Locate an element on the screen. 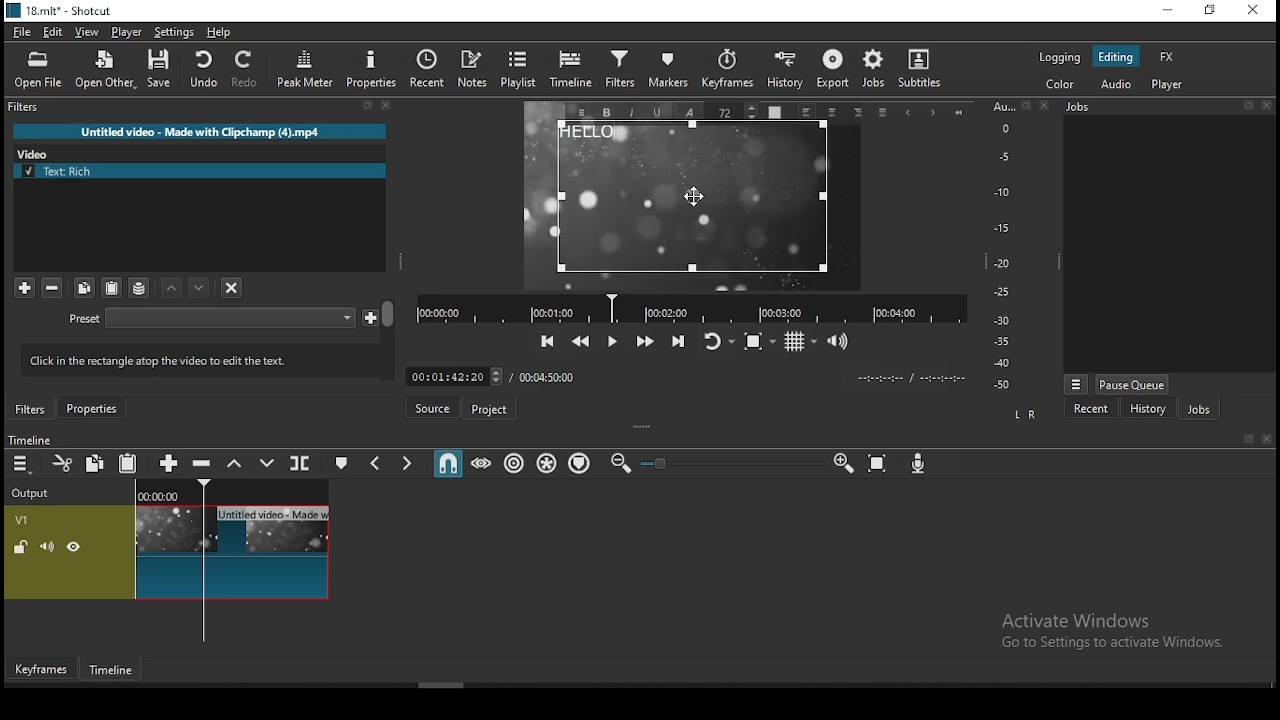 Image resolution: width=1280 pixels, height=720 pixels. history is located at coordinates (1147, 408).